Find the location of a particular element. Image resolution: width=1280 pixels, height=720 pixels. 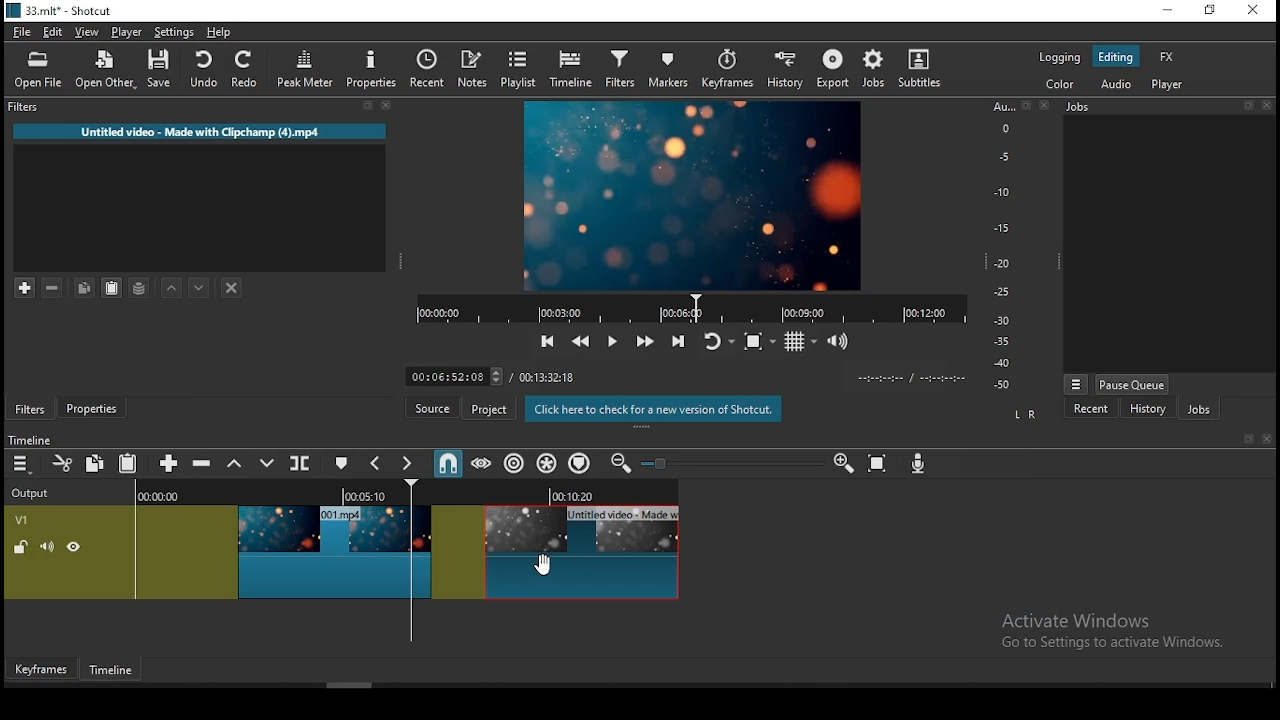

logging is located at coordinates (1055, 56).